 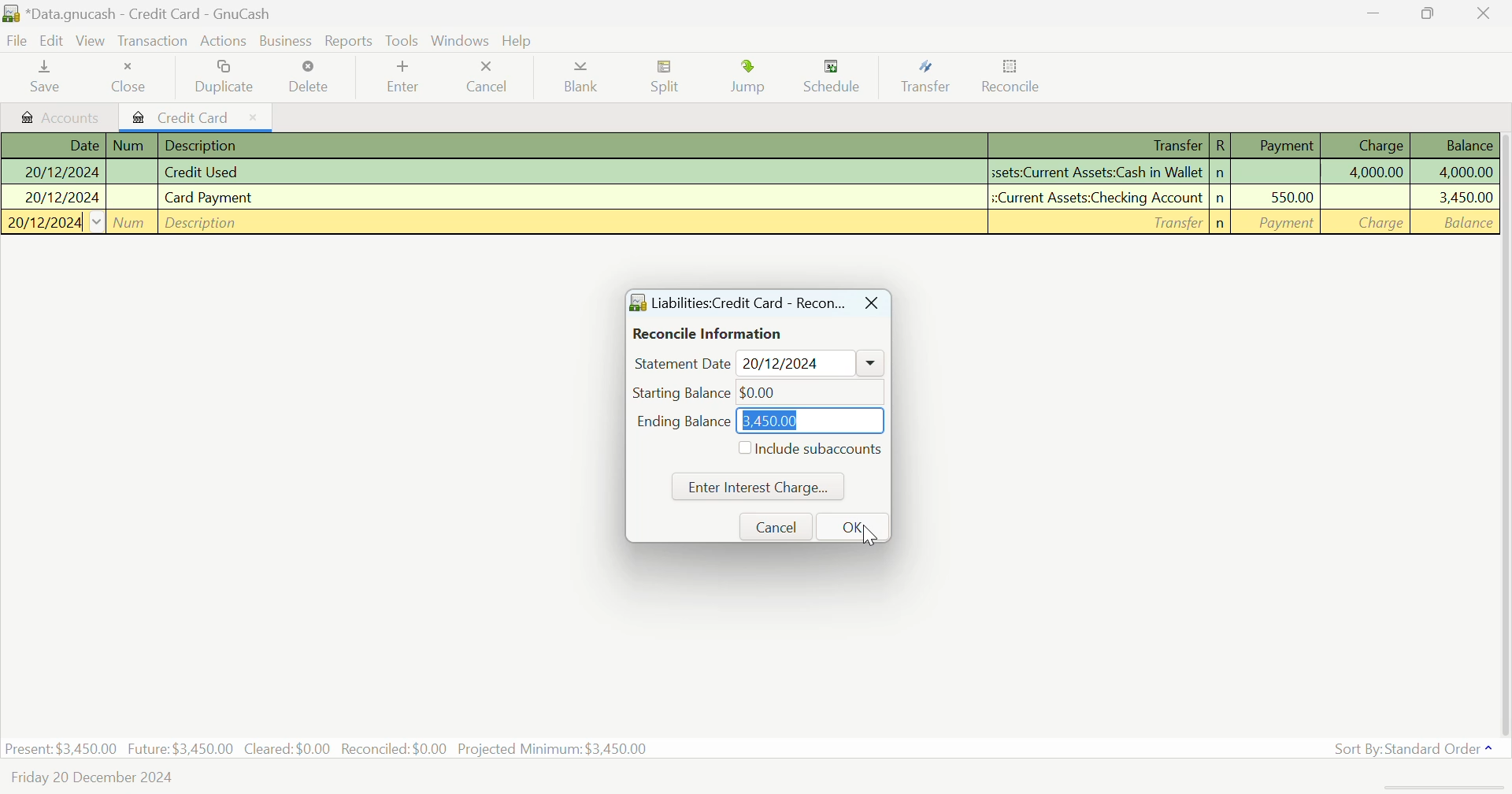 What do you see at coordinates (400, 78) in the screenshot?
I see `Enter` at bounding box center [400, 78].